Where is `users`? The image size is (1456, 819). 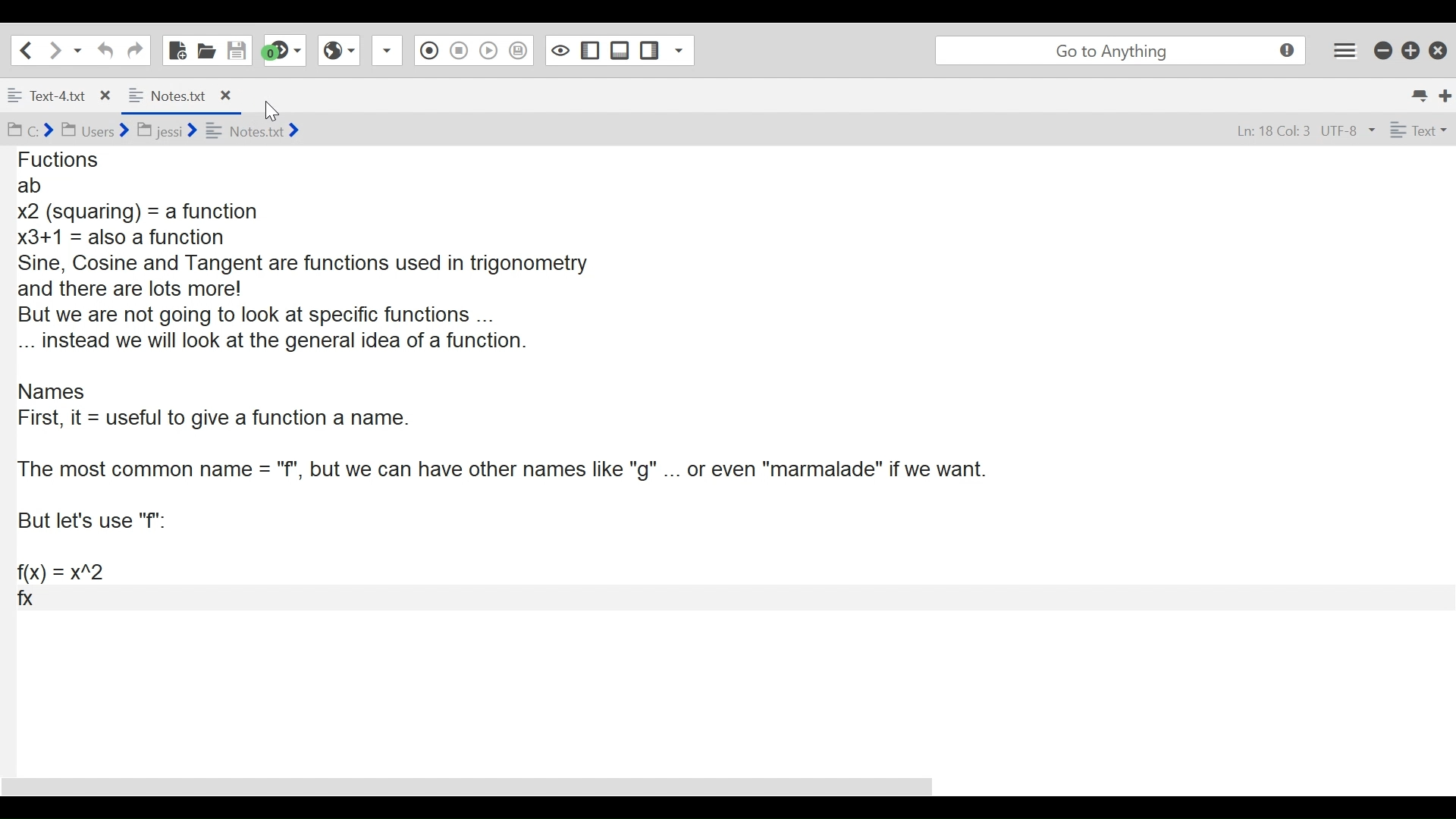 users is located at coordinates (94, 131).